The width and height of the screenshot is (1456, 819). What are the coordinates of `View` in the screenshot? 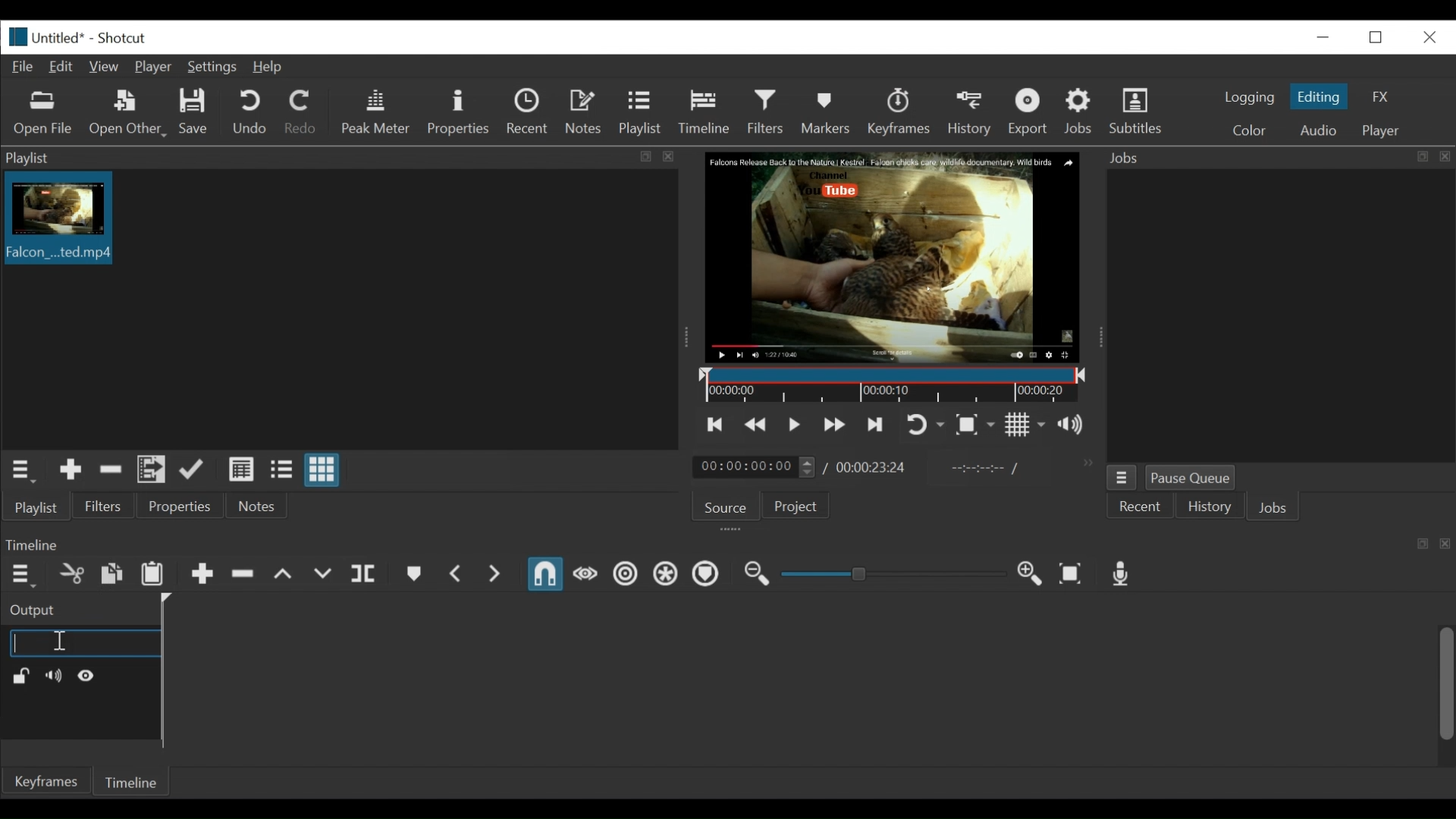 It's located at (105, 66).